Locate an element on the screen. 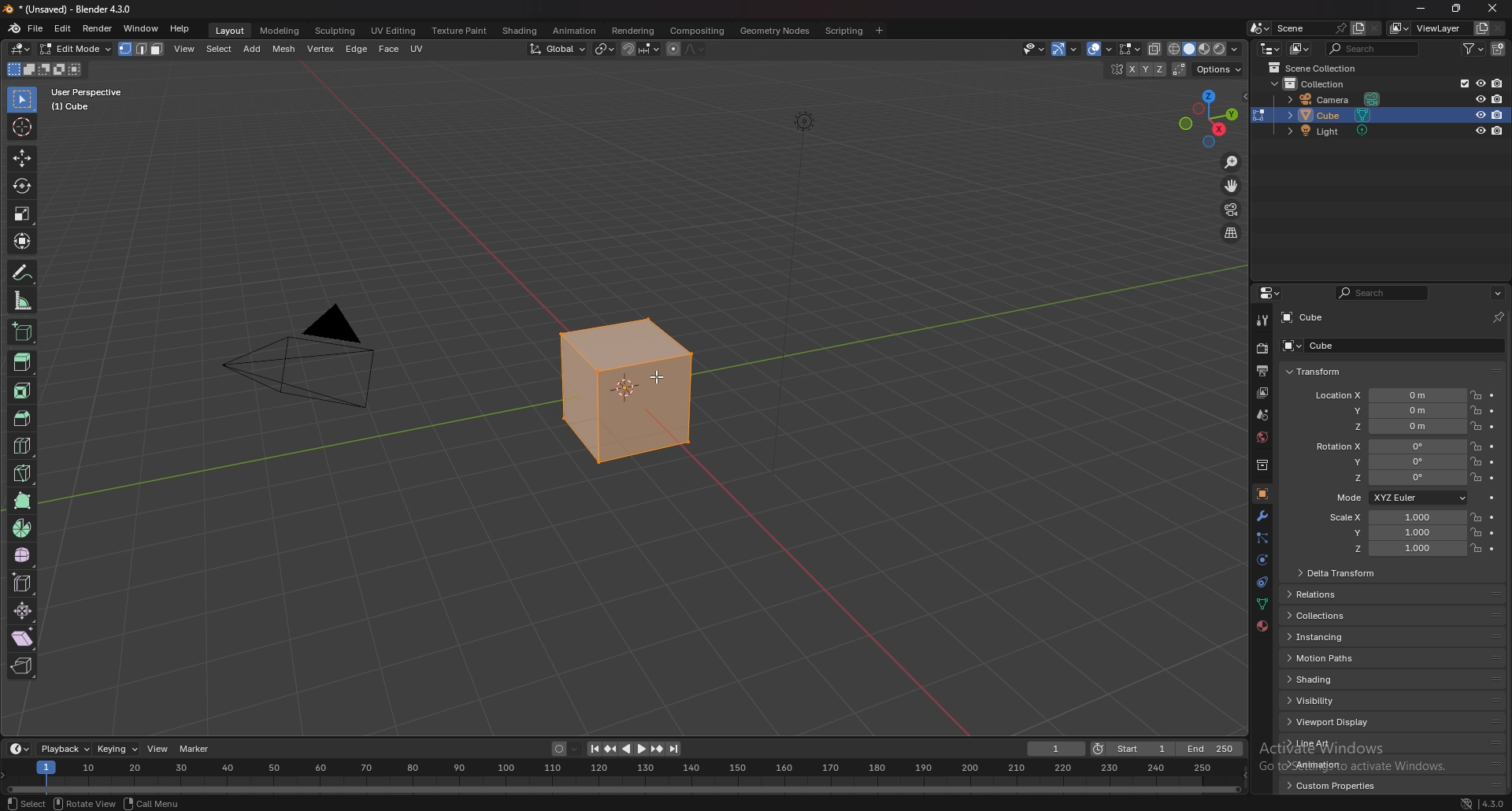 Image resolution: width=1512 pixels, height=811 pixels. smooth is located at coordinates (23, 555).